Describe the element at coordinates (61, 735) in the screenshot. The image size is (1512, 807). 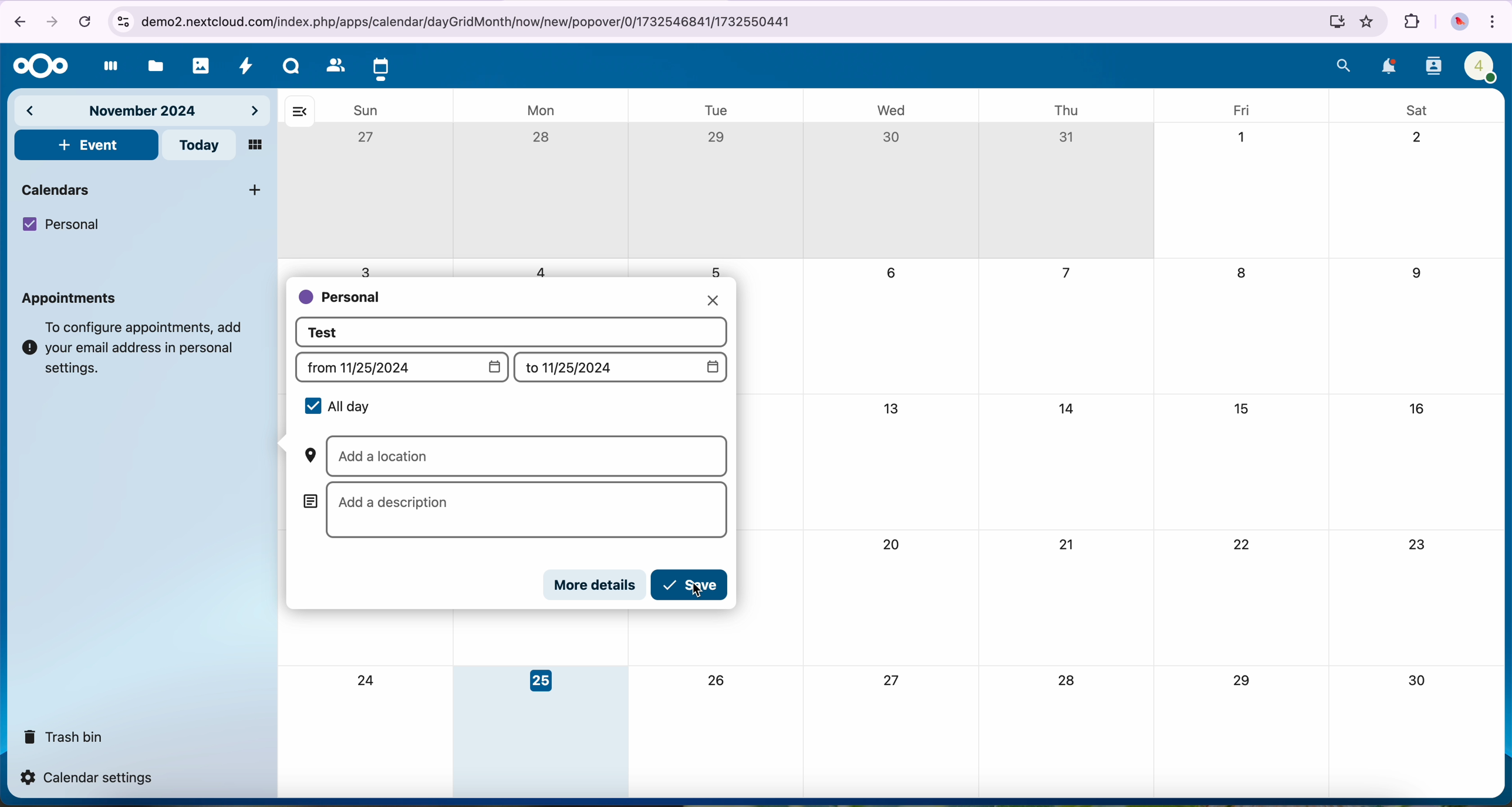
I see `trash bin` at that location.